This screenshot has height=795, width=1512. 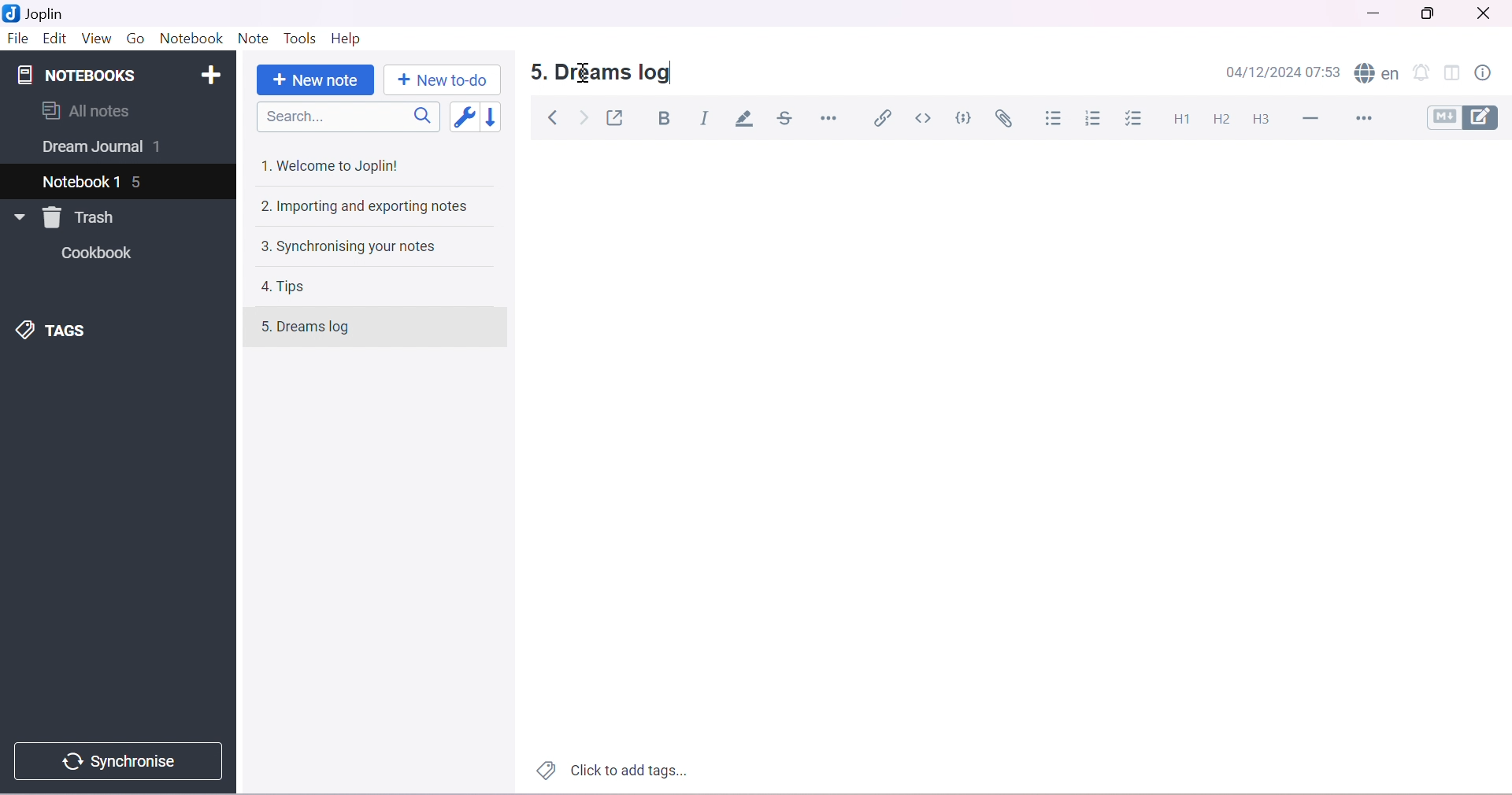 What do you see at coordinates (135, 37) in the screenshot?
I see `Go` at bounding box center [135, 37].